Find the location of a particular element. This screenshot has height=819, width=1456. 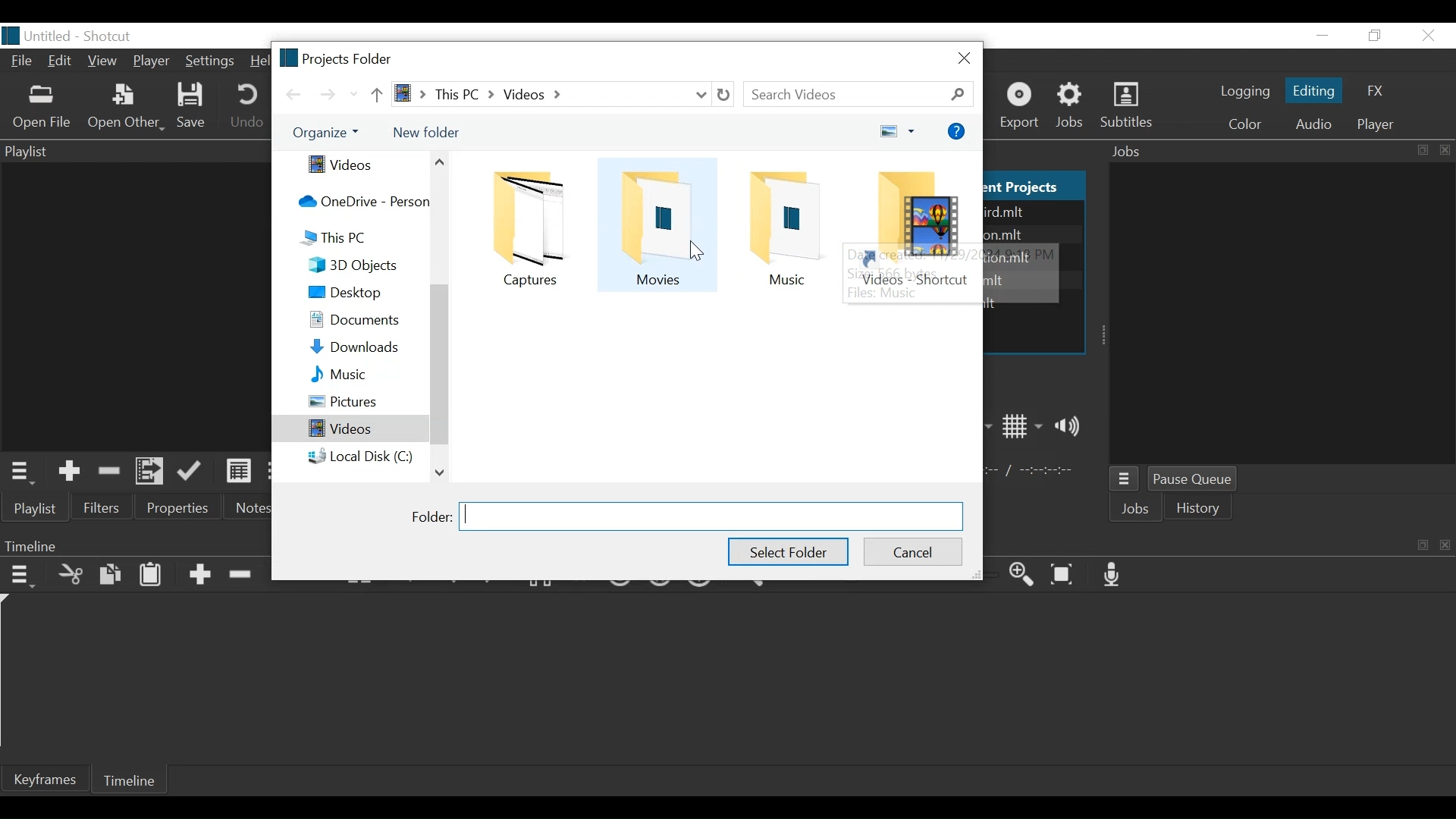

new folder is located at coordinates (422, 133).